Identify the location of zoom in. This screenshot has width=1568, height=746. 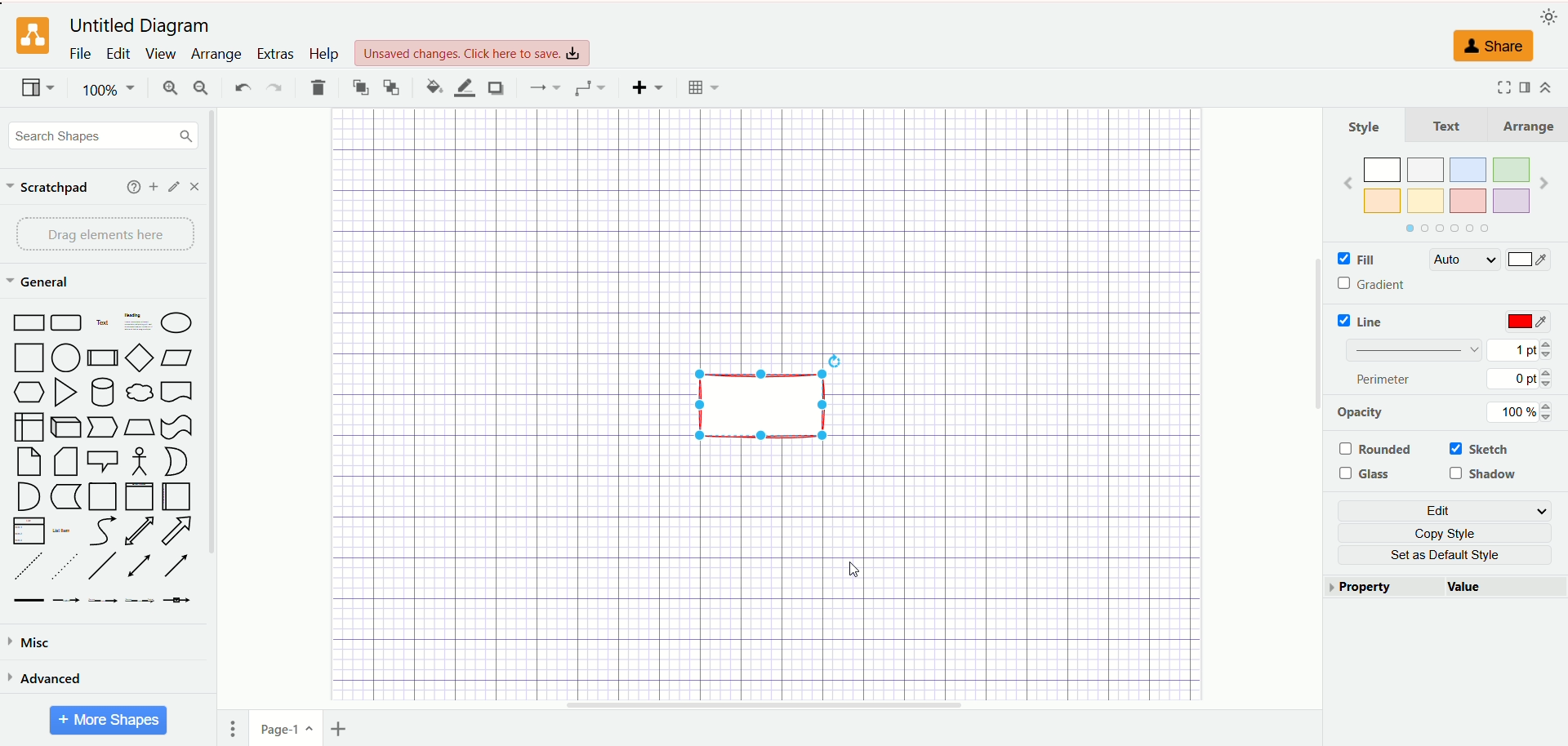
(169, 88).